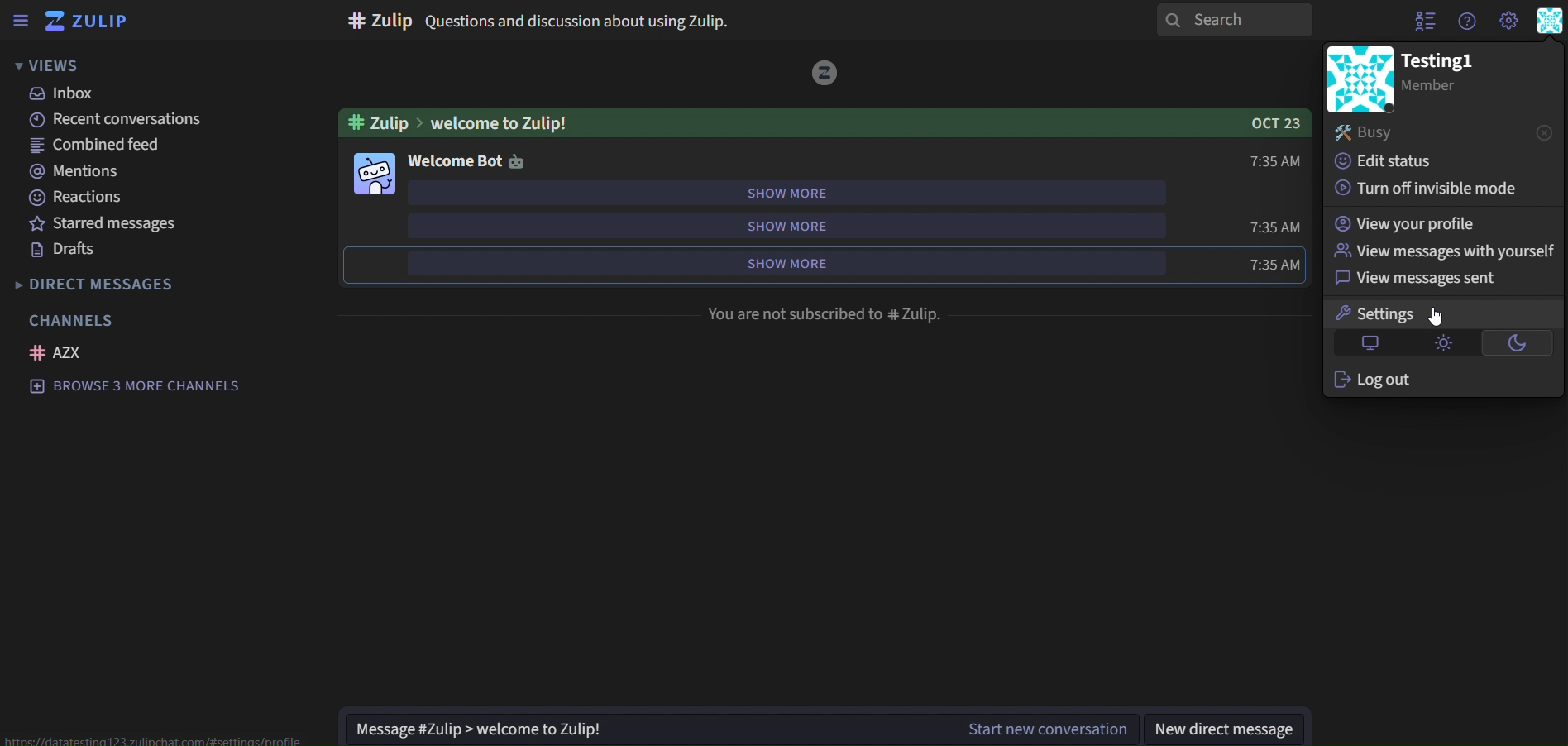  What do you see at coordinates (1422, 22) in the screenshot?
I see `show user list` at bounding box center [1422, 22].